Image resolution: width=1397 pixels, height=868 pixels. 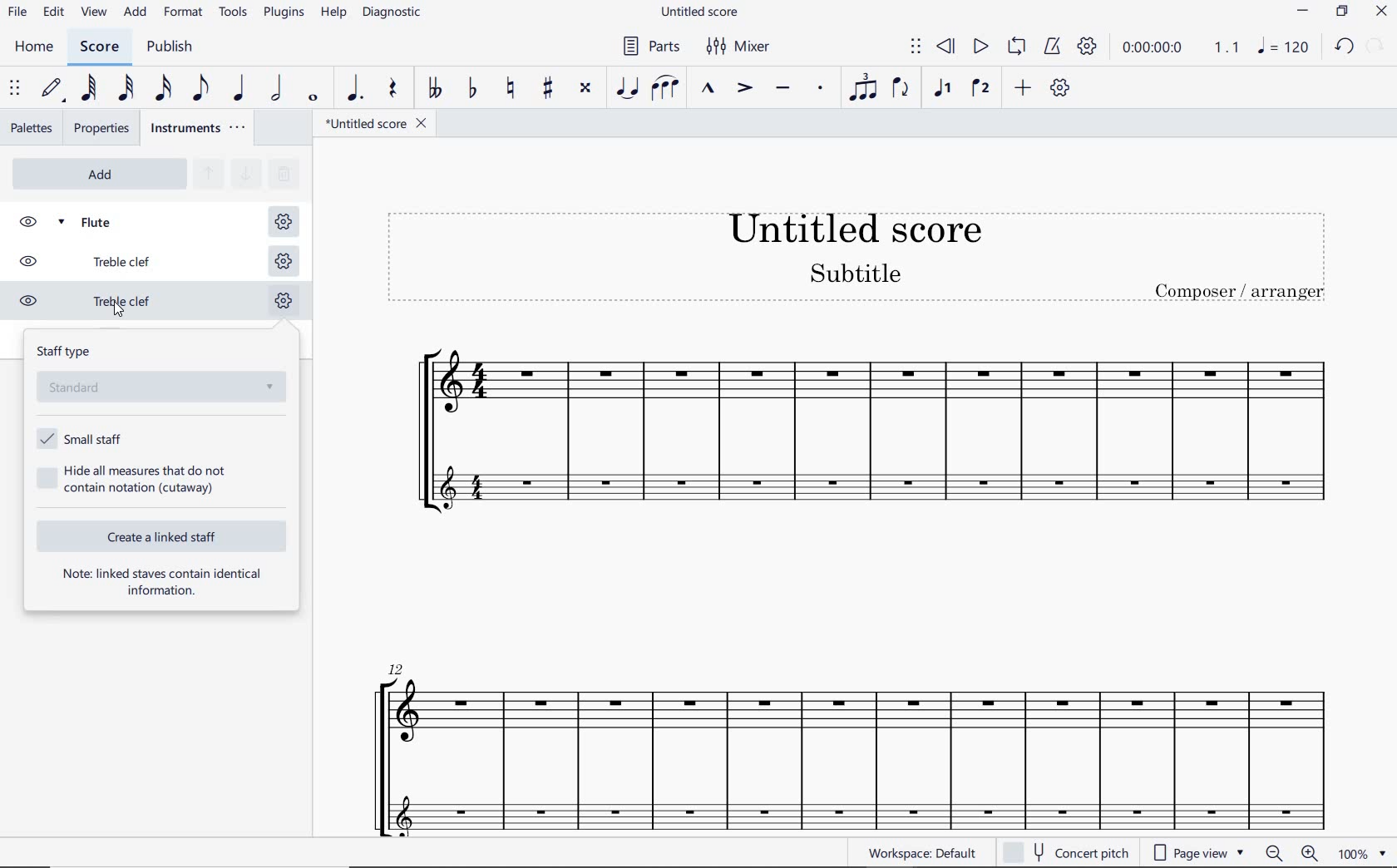 I want to click on SELECT TO MOVE, so click(x=915, y=47).